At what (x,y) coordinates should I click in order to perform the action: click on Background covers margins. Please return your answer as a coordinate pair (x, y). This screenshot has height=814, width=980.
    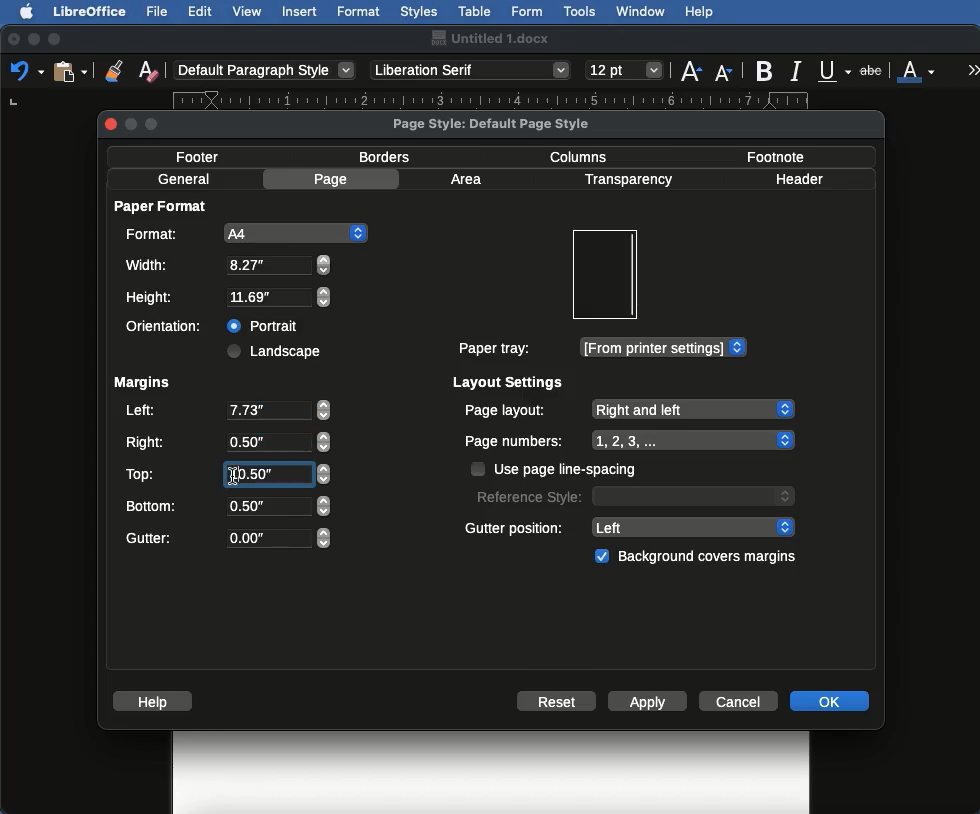
    Looking at the image, I should click on (699, 557).